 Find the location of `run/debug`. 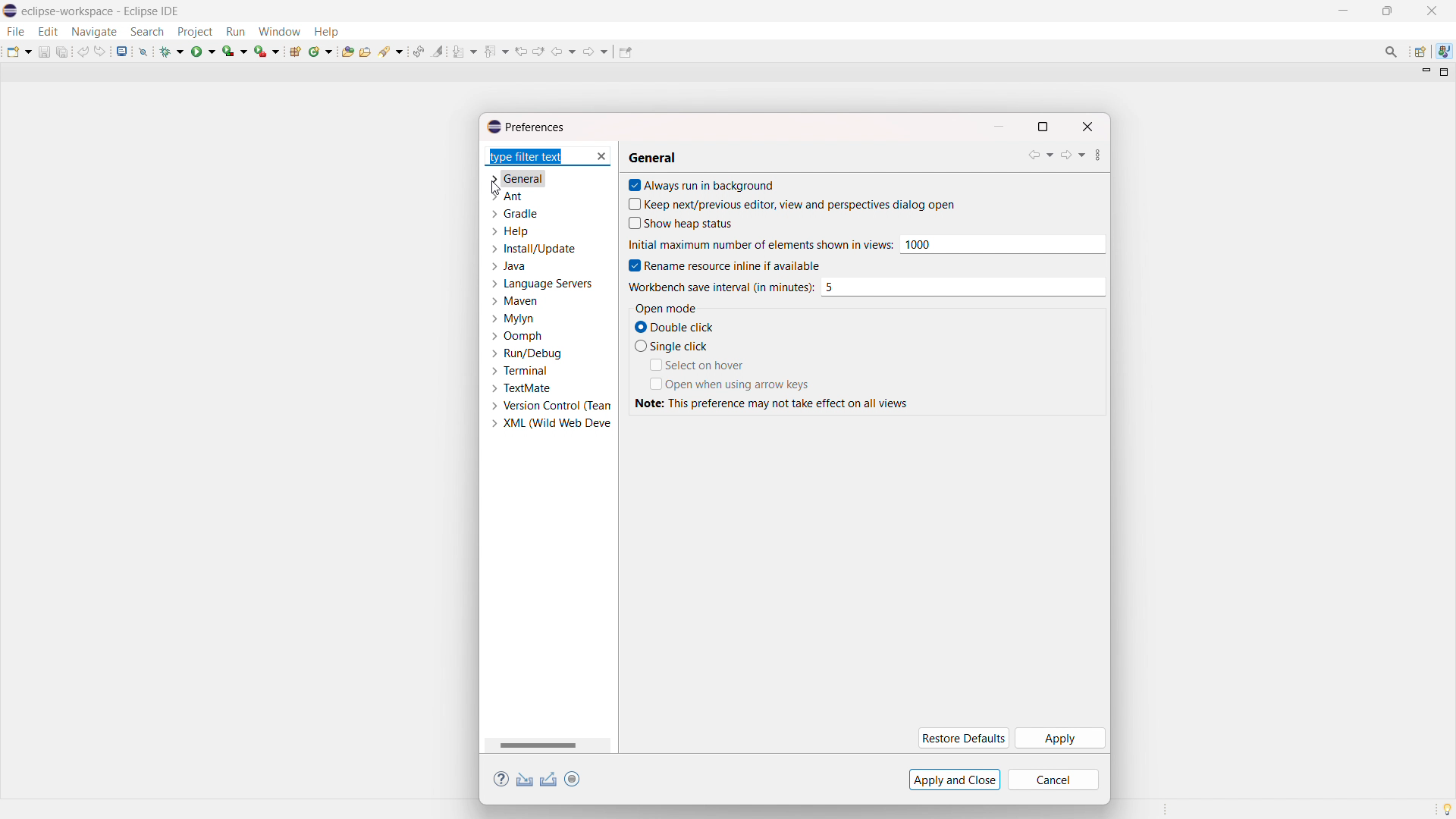

run/debug is located at coordinates (527, 353).